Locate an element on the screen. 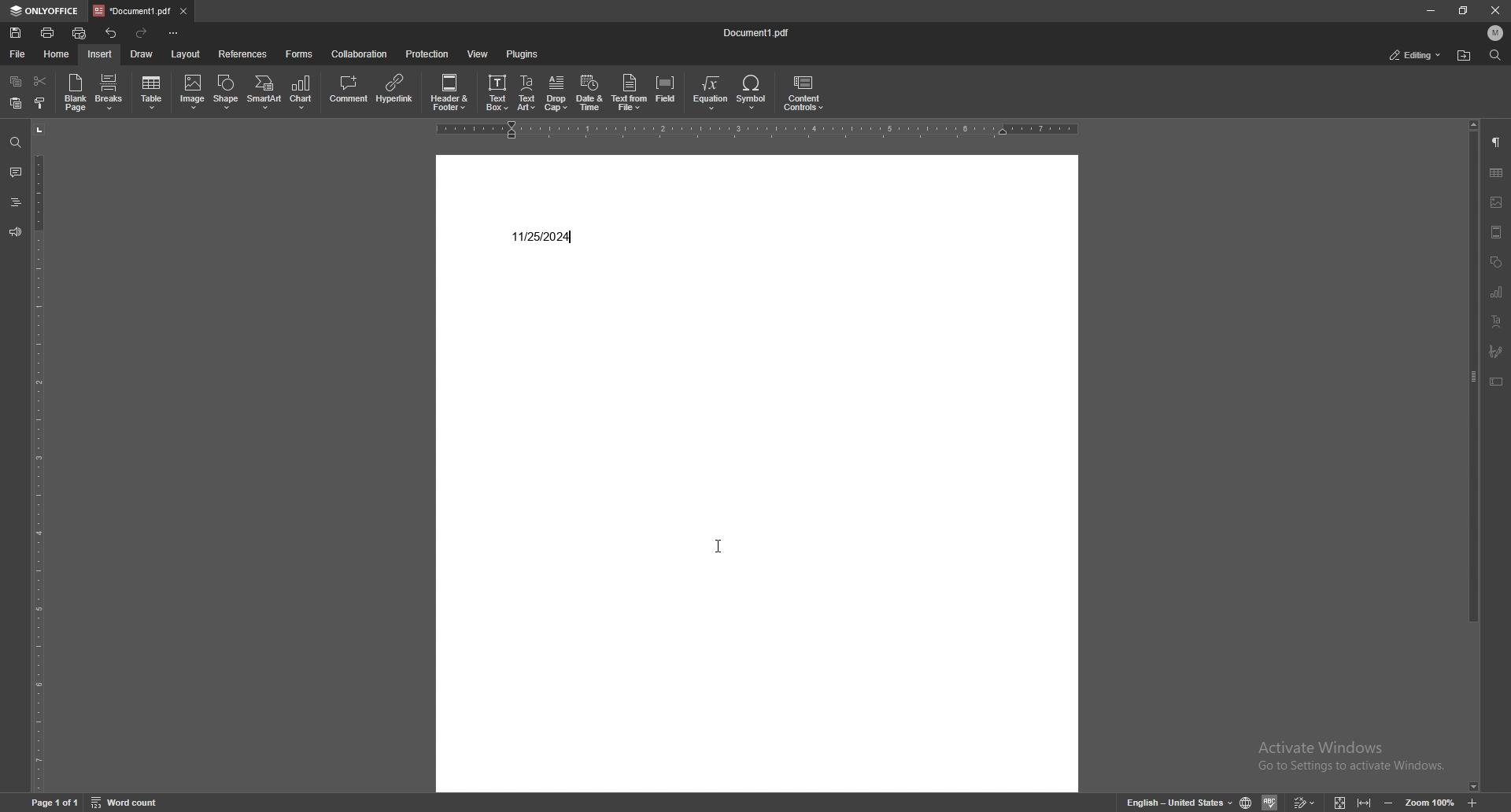 The width and height of the screenshot is (1511, 812). cursor  is located at coordinates (720, 558).